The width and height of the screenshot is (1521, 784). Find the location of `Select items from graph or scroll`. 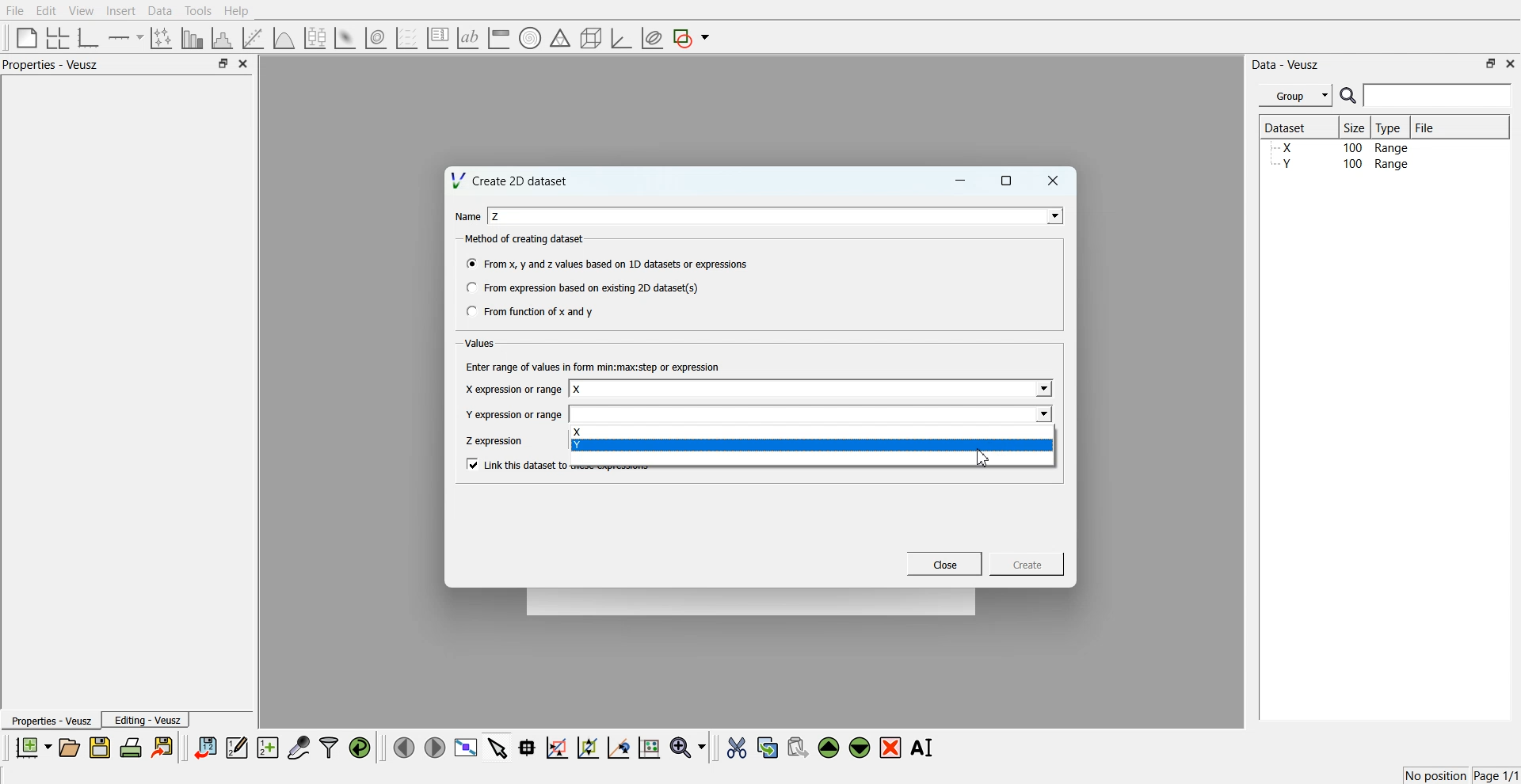

Select items from graph or scroll is located at coordinates (498, 746).